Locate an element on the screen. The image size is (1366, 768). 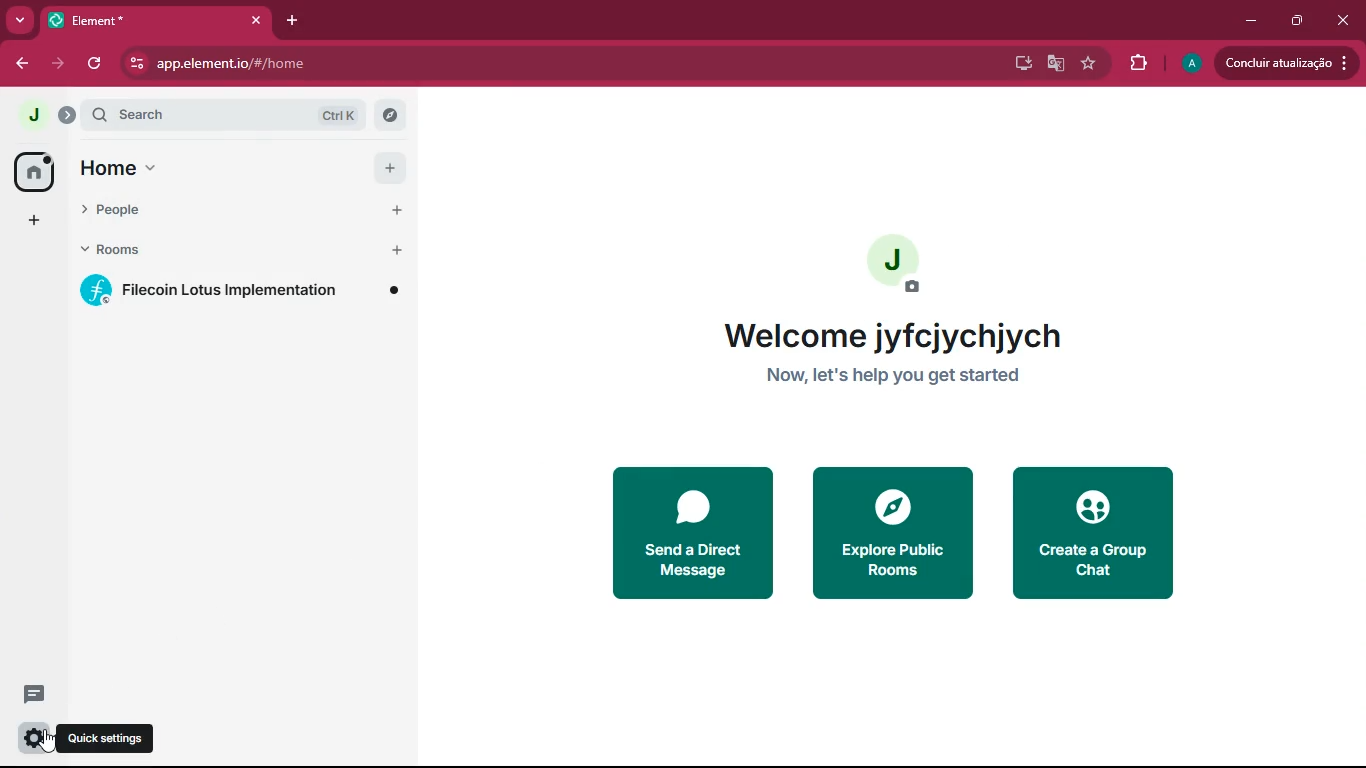
search ctrl k is located at coordinates (233, 115).